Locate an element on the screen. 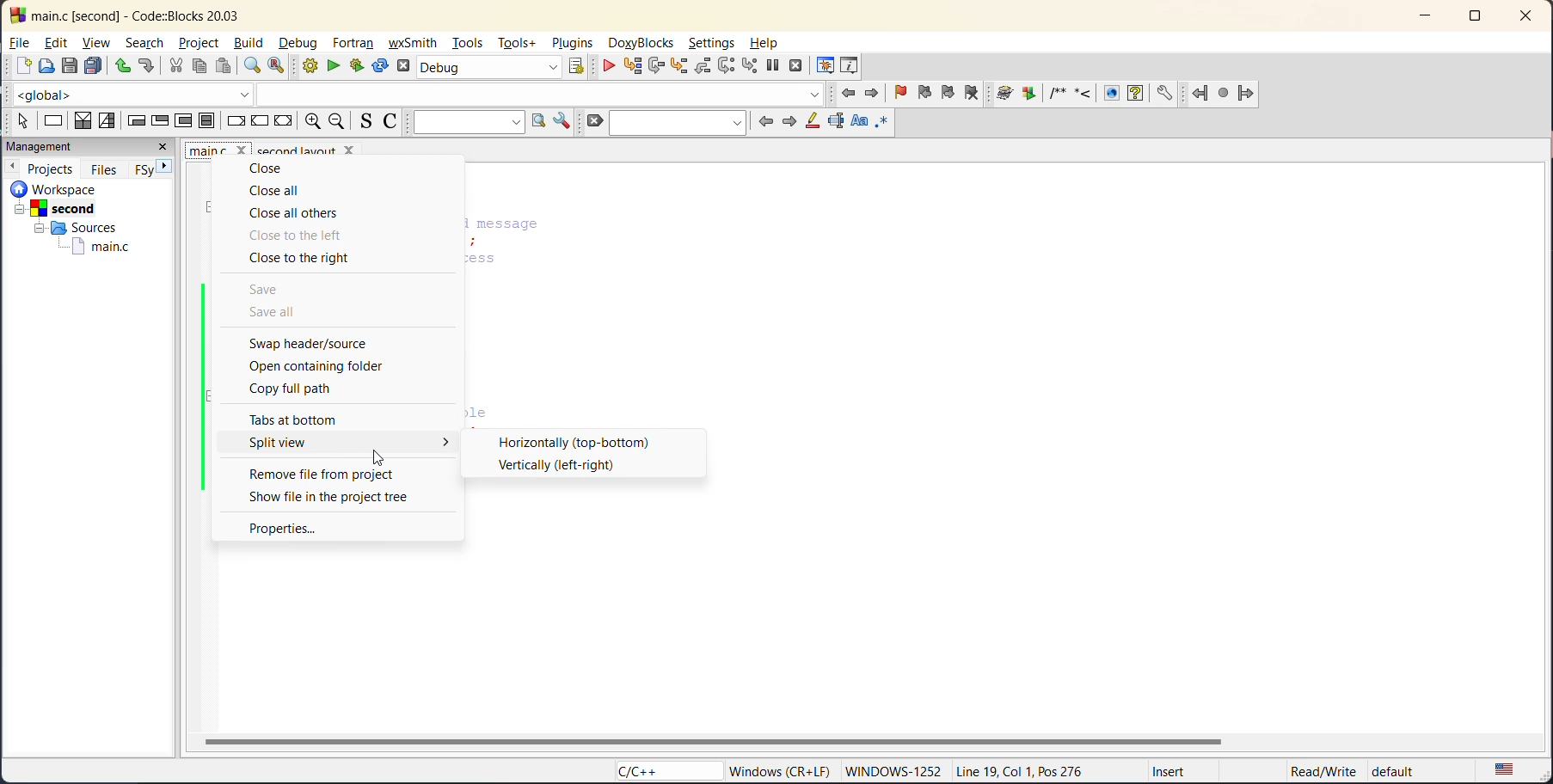 The width and height of the screenshot is (1553, 784). jump forward is located at coordinates (1248, 94).